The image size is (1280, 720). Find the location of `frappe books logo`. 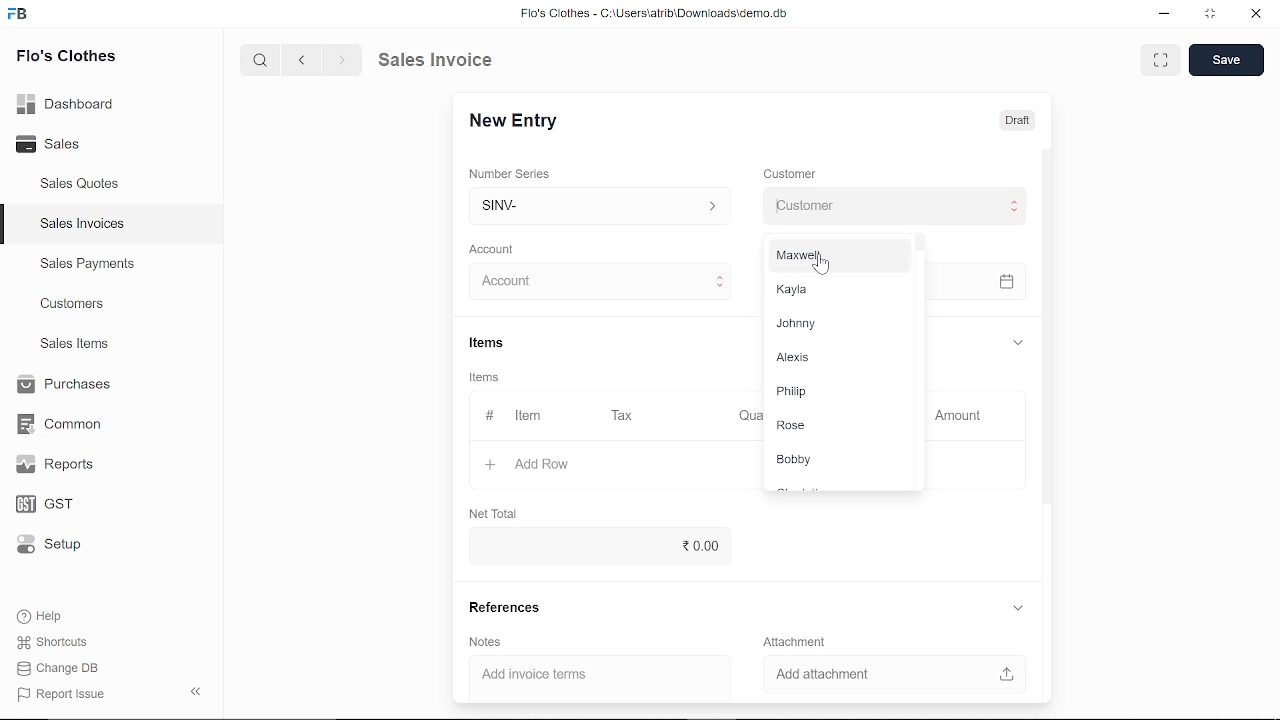

frappe books logo is located at coordinates (20, 17).